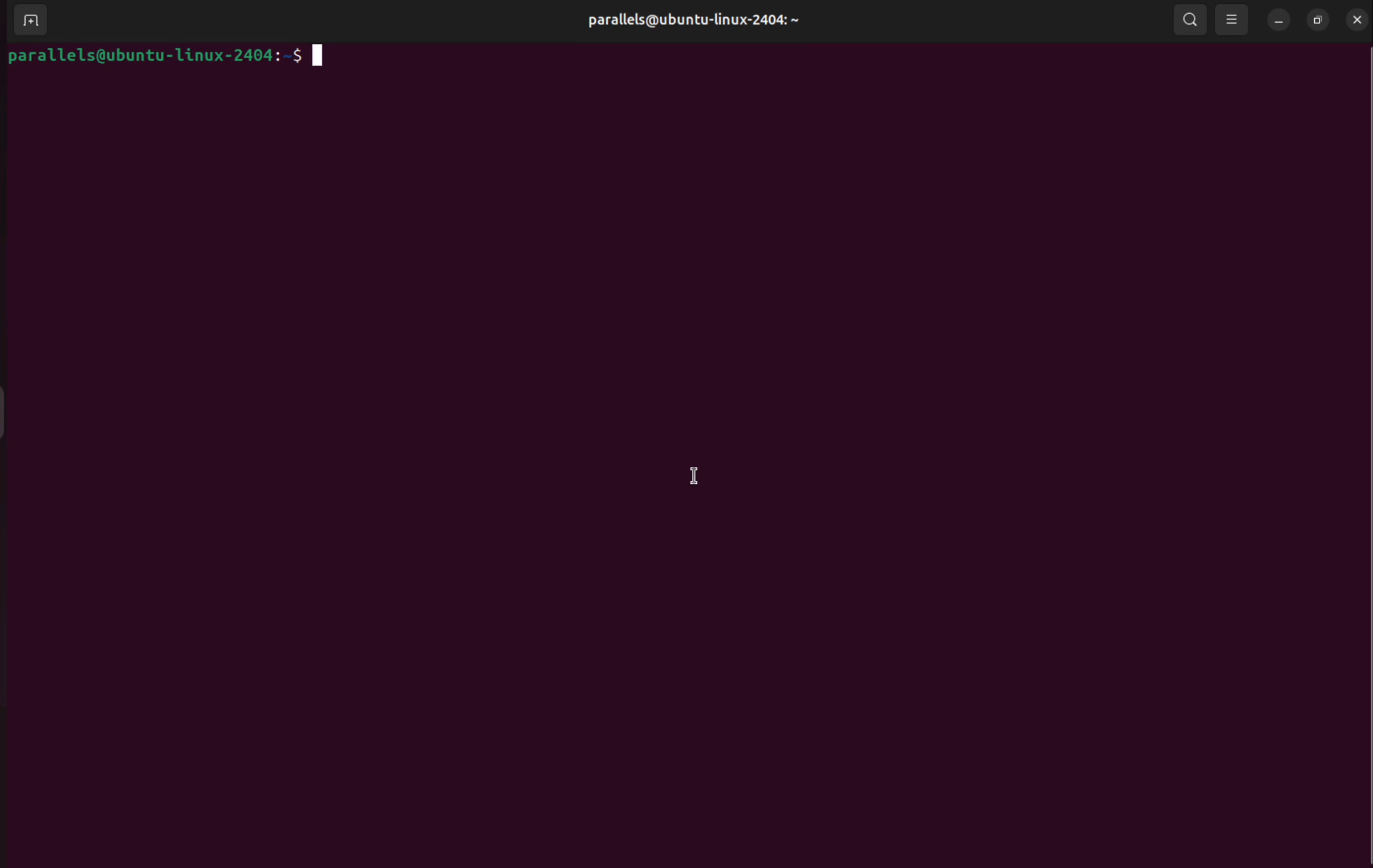 This screenshot has width=1373, height=868. I want to click on resize, so click(1317, 19).